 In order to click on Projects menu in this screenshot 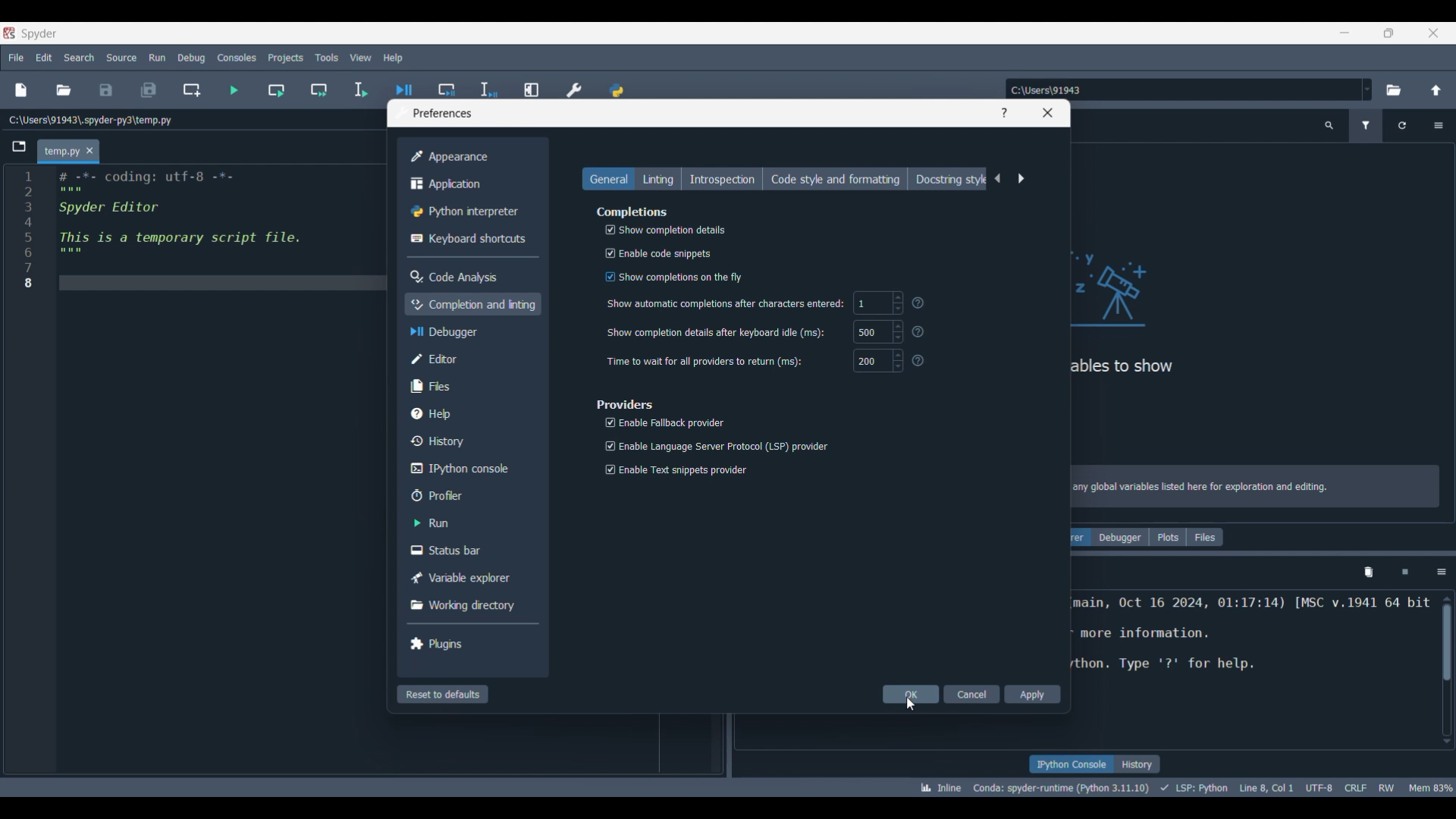, I will do `click(286, 58)`.